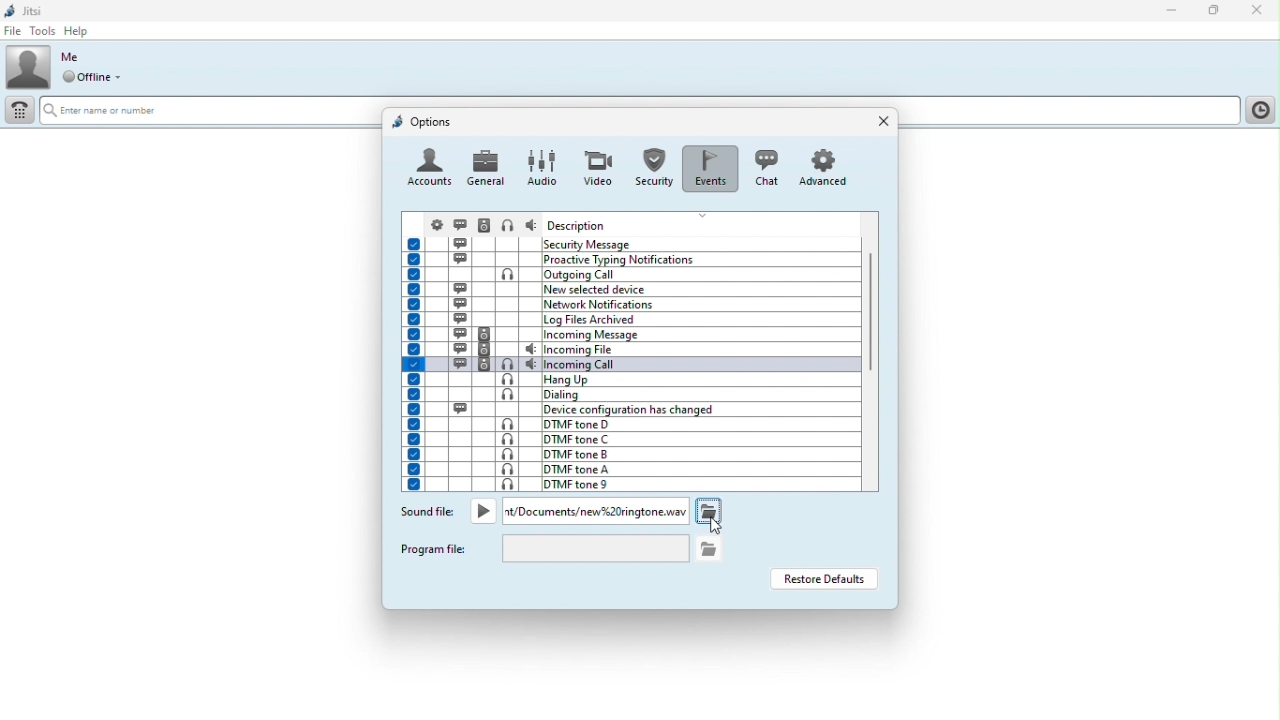  Describe the element at coordinates (823, 579) in the screenshot. I see `Restore defaults` at that location.